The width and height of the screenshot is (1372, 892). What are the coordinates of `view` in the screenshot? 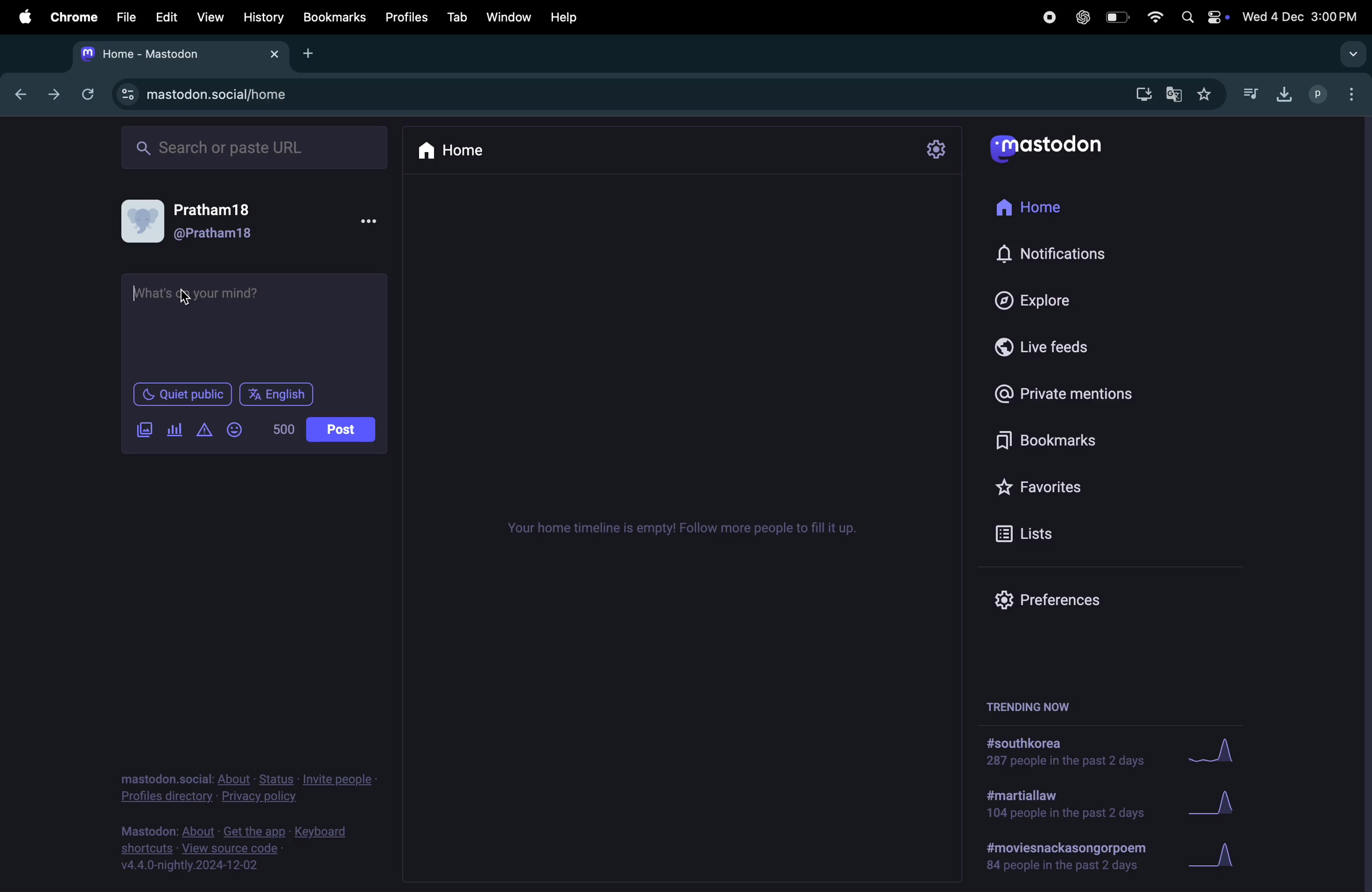 It's located at (209, 19).